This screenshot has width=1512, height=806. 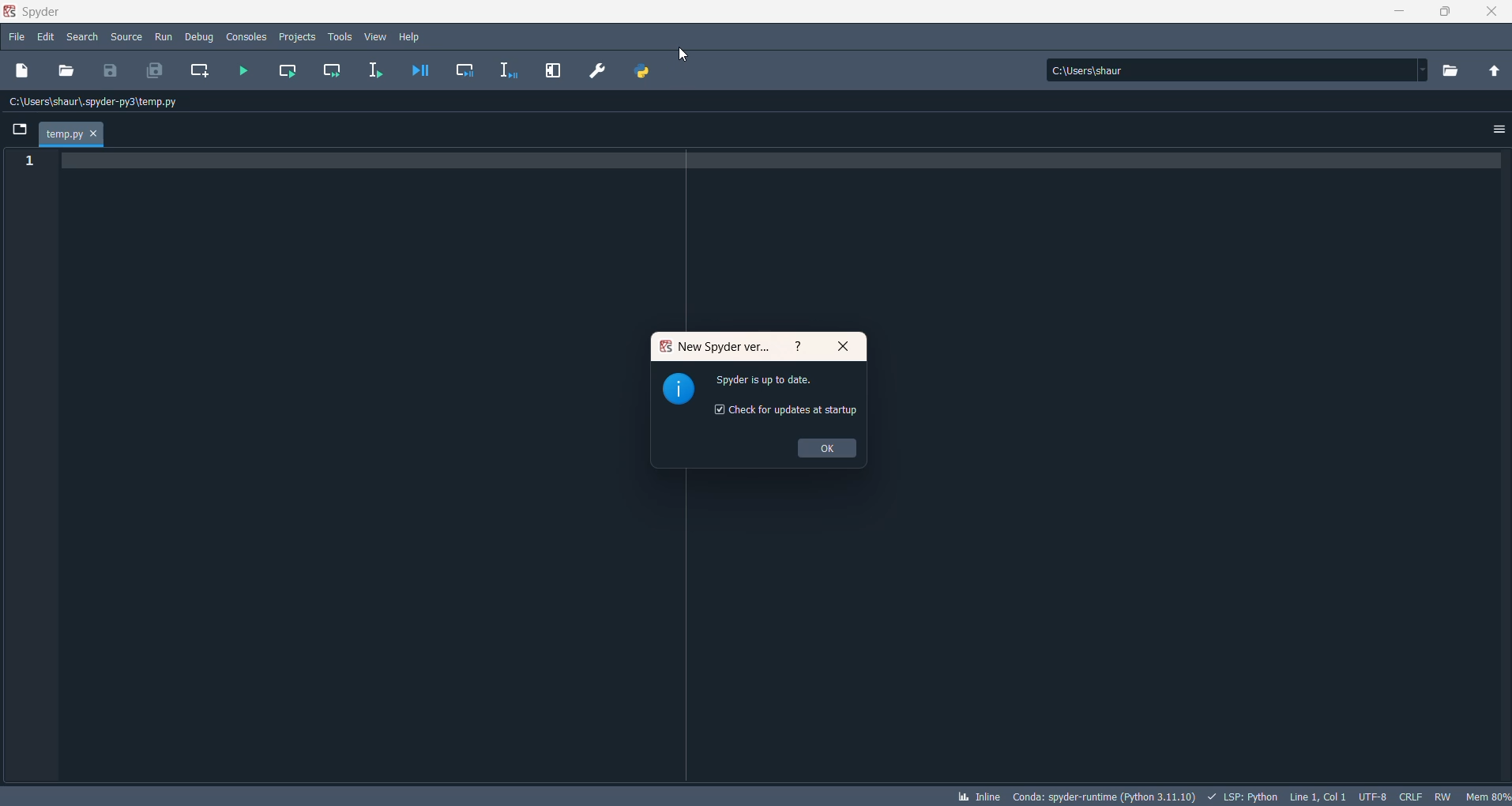 What do you see at coordinates (200, 37) in the screenshot?
I see `debug` at bounding box center [200, 37].